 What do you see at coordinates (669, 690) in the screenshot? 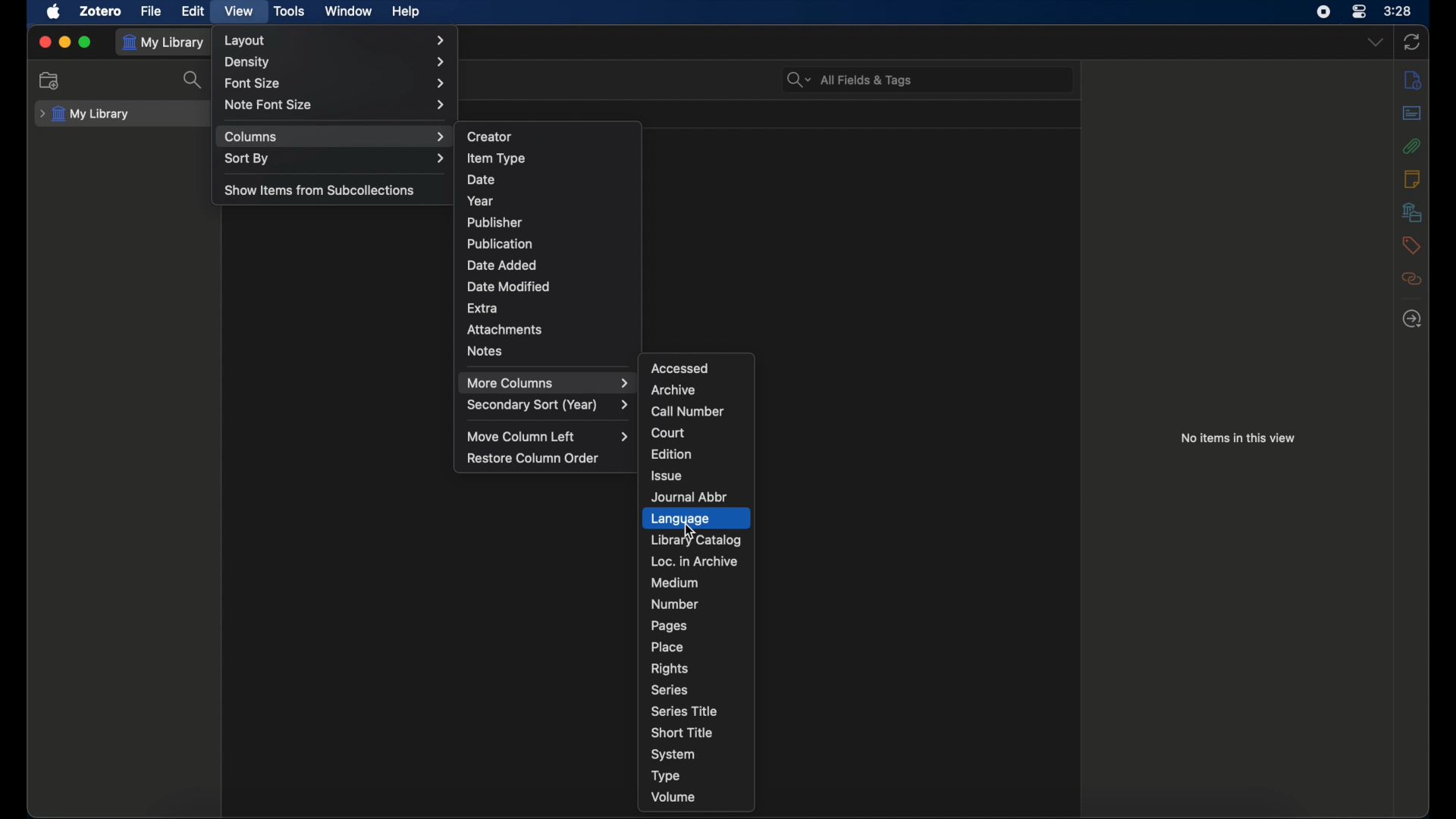
I see `series` at bounding box center [669, 690].